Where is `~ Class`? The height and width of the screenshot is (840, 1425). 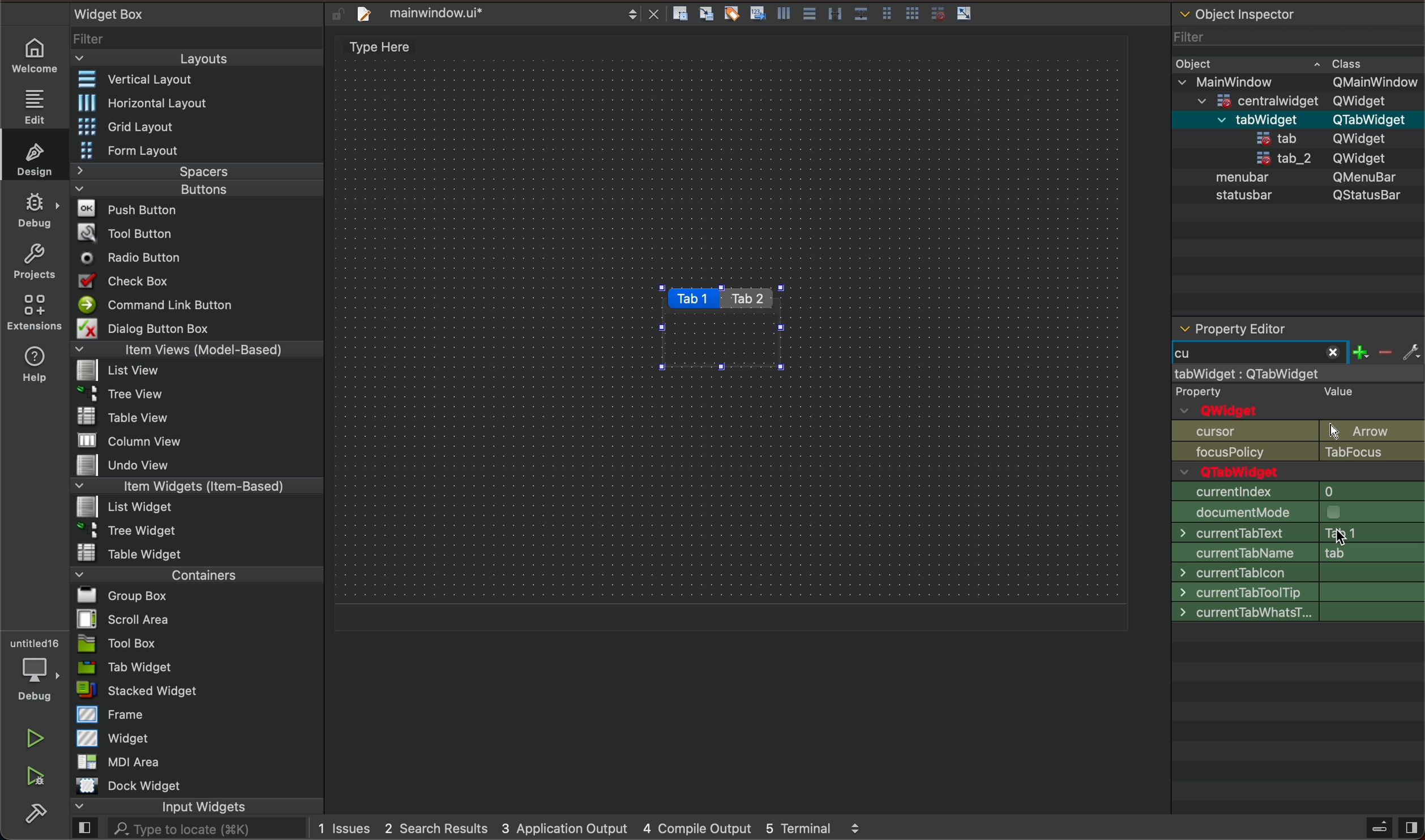 ~ Class is located at coordinates (1342, 60).